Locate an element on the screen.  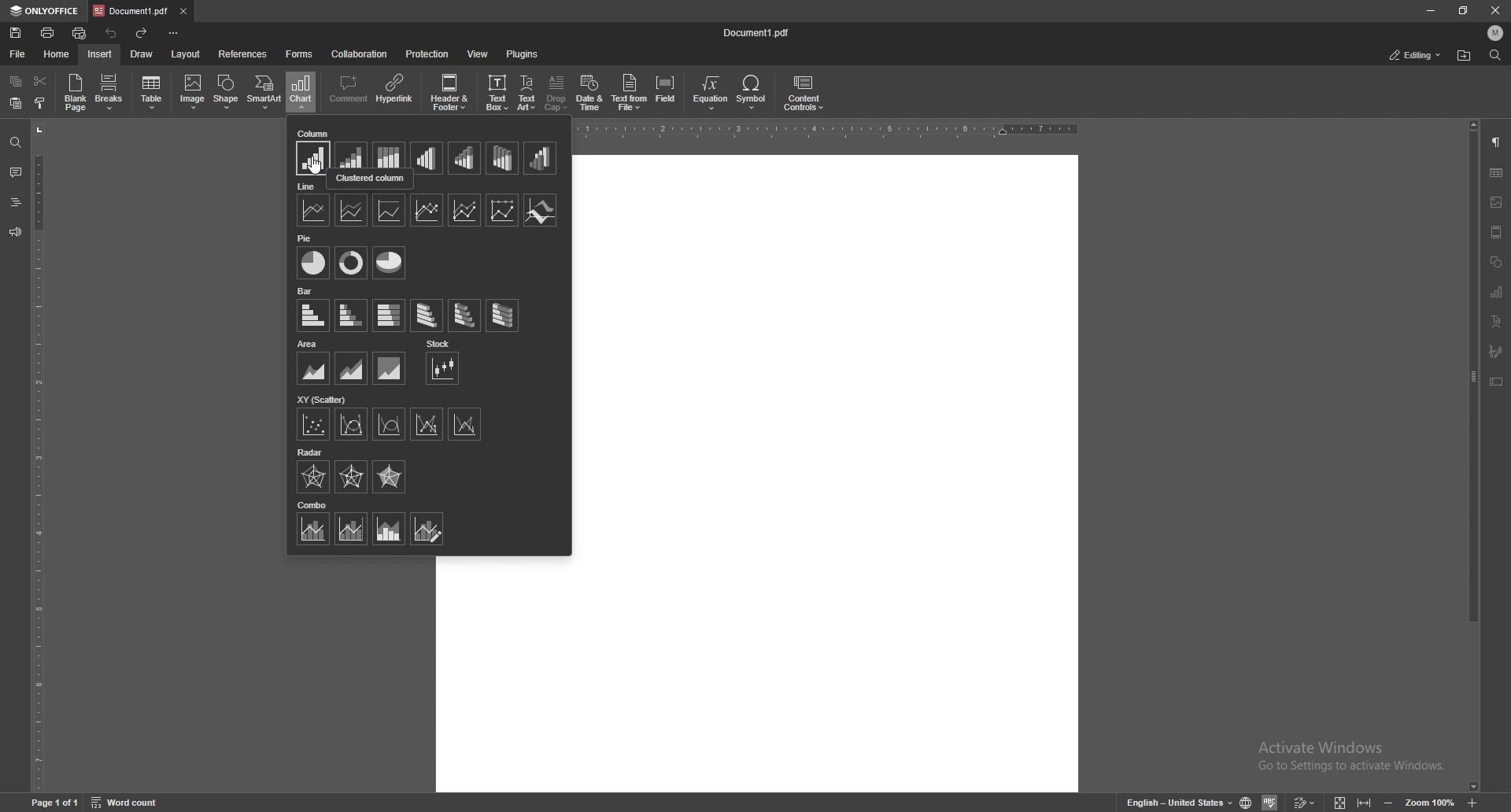
View is located at coordinates (1337, 803).